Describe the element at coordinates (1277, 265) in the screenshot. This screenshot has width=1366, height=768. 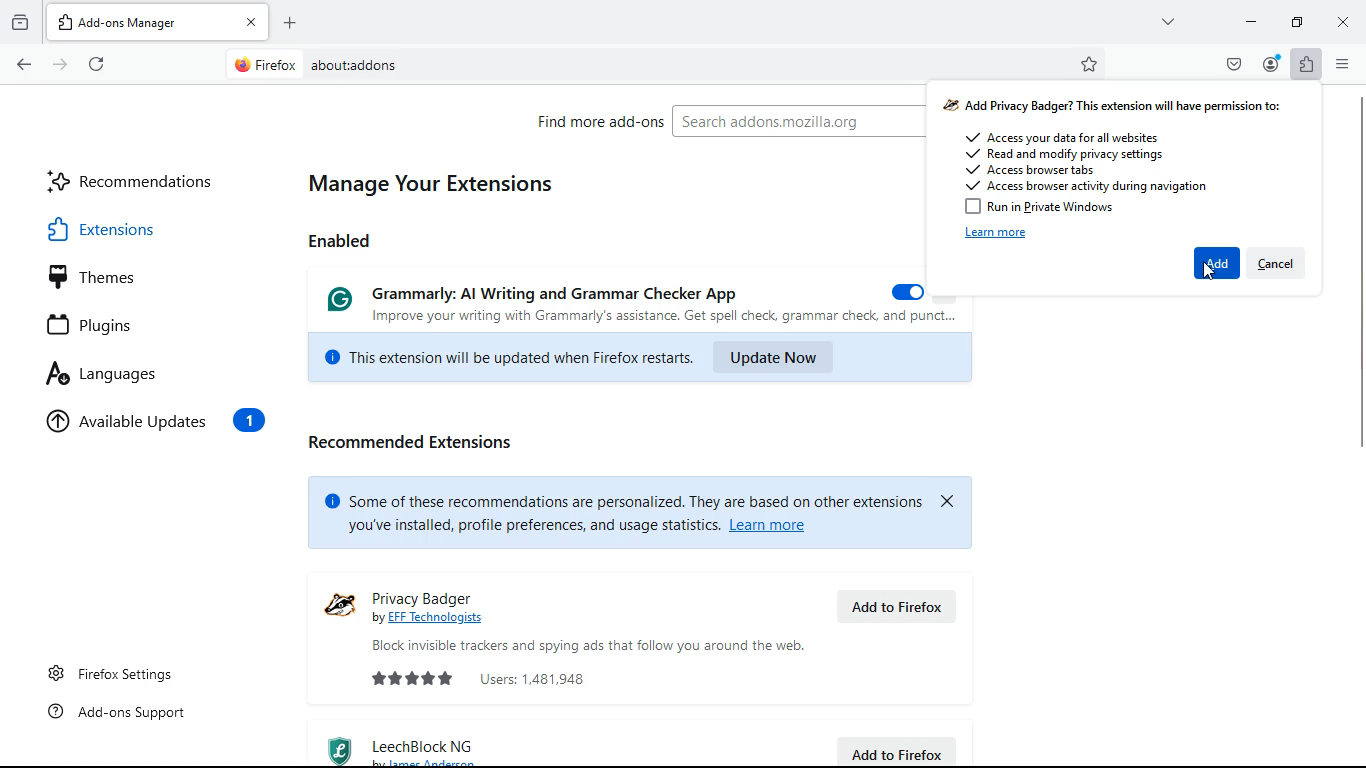
I see `cancel` at that location.